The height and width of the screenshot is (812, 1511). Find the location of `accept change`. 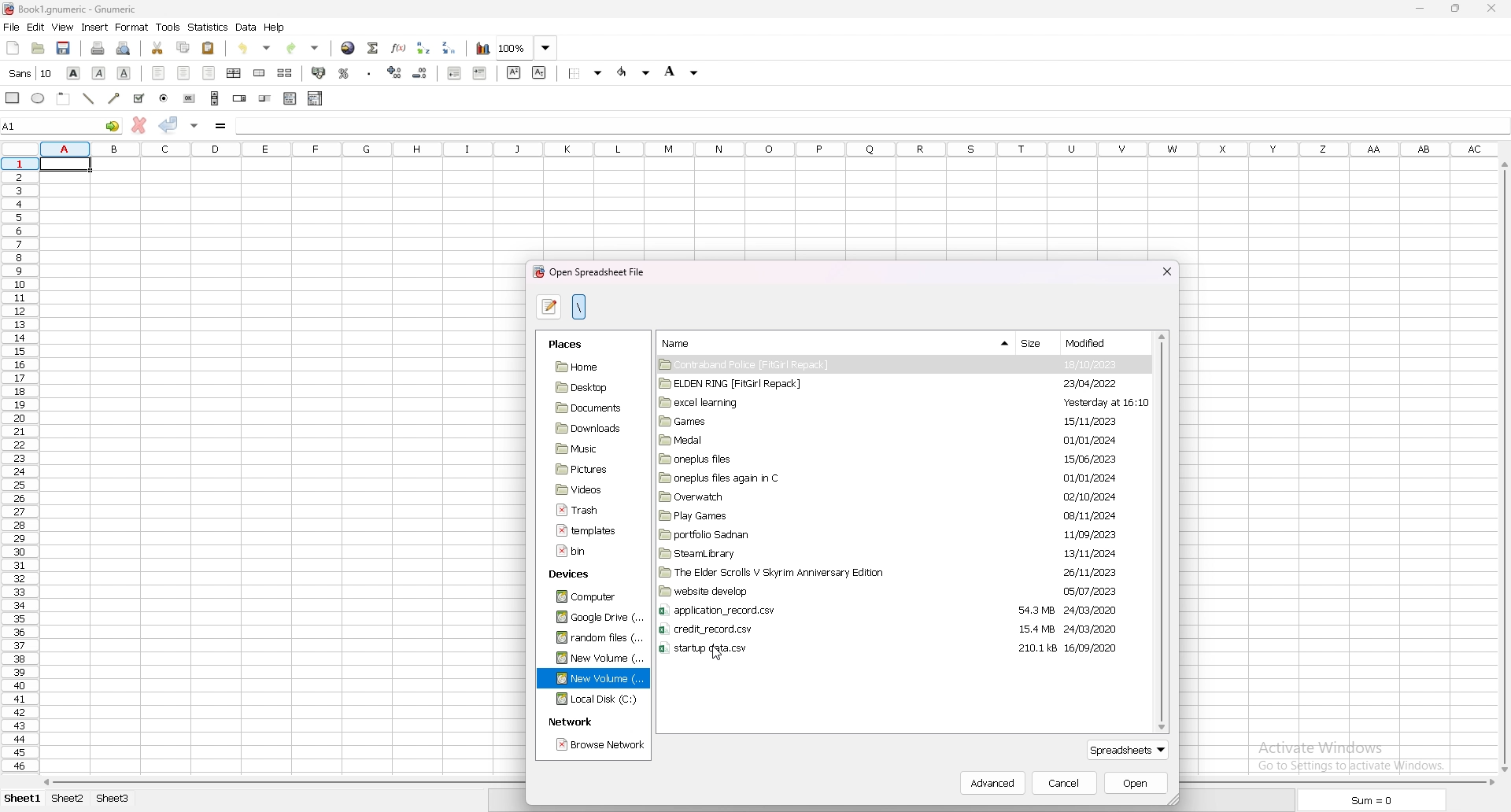

accept change is located at coordinates (168, 124).